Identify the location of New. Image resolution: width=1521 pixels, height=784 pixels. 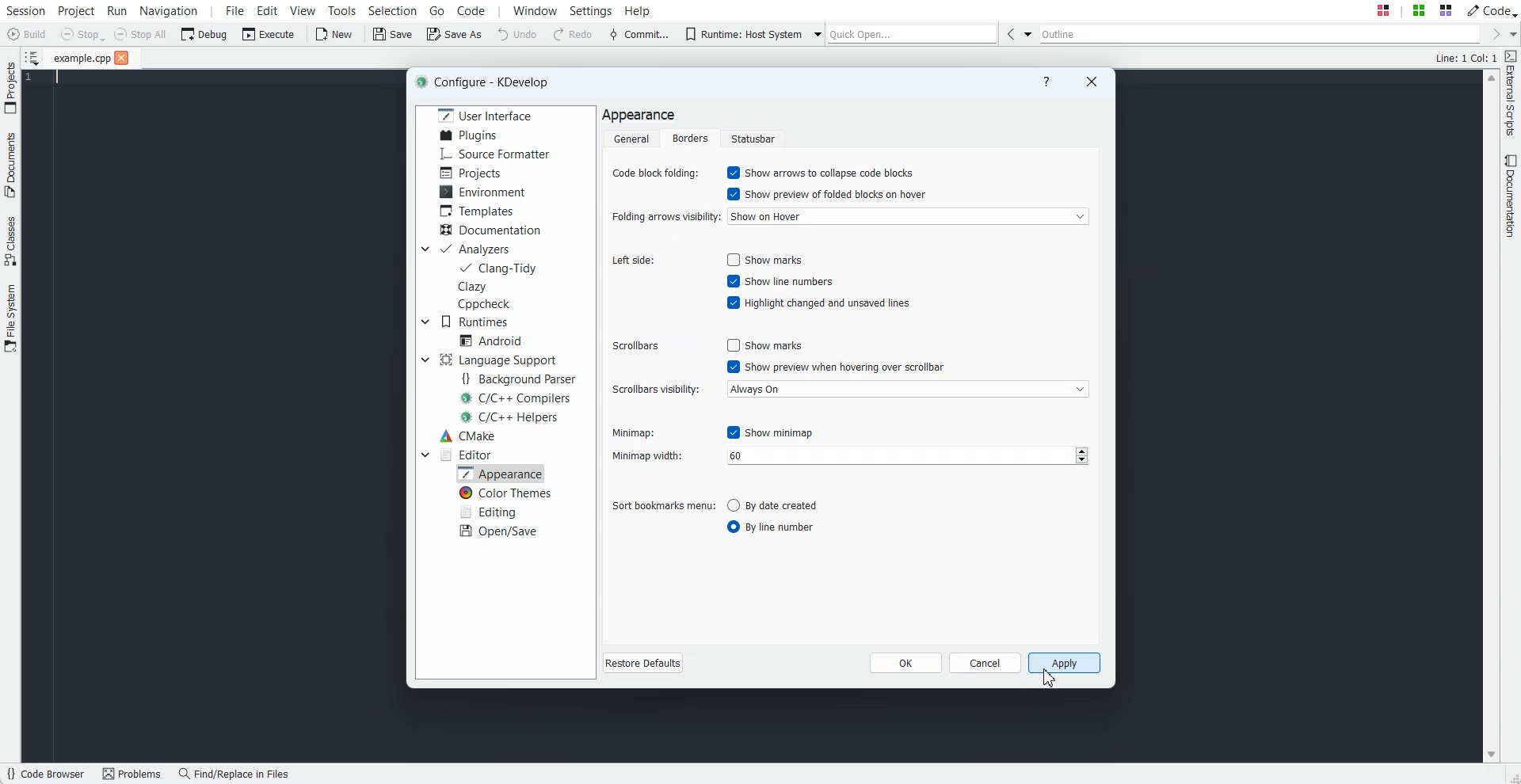
(337, 34).